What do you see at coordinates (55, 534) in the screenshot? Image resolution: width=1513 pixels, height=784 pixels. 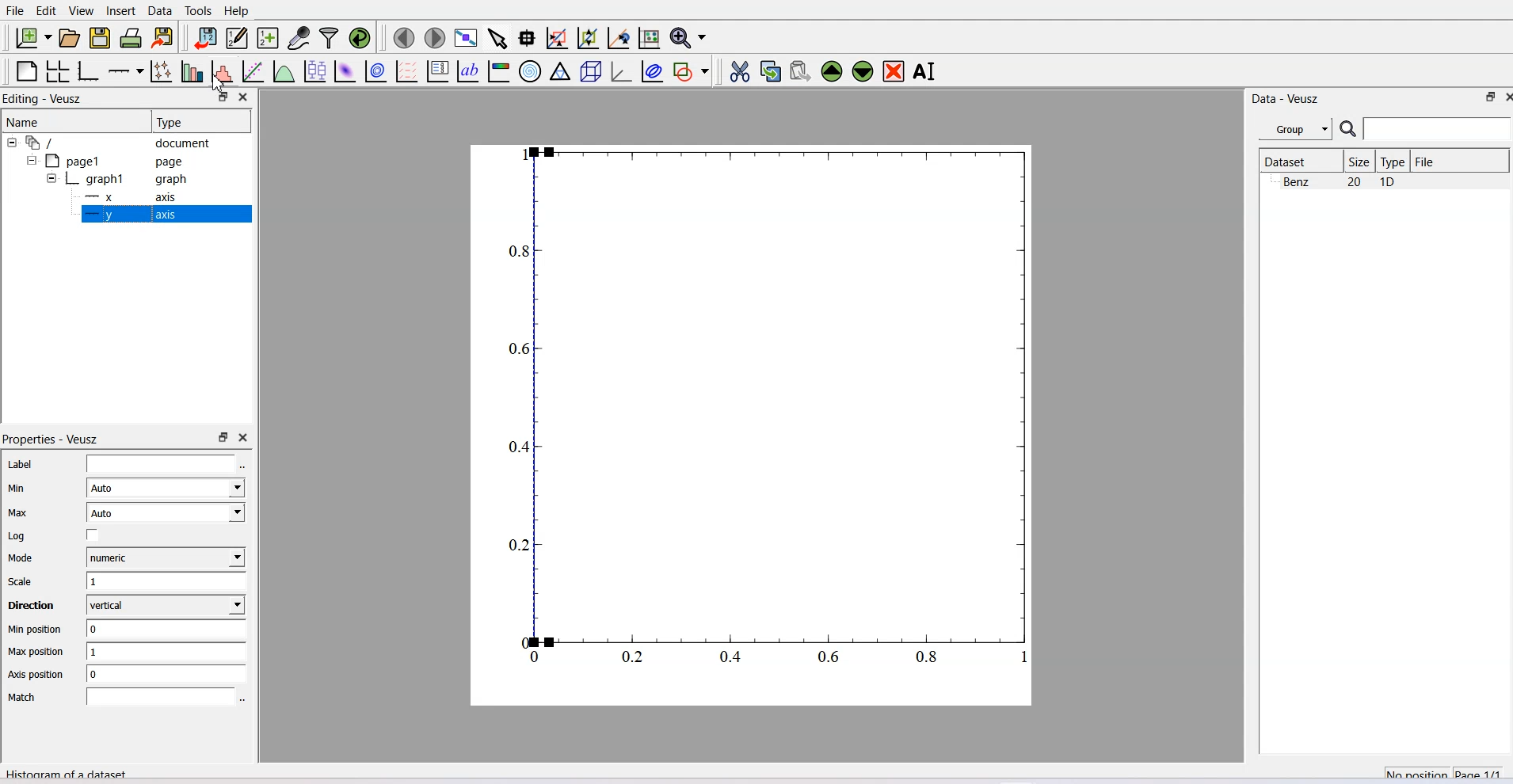 I see `Log` at bounding box center [55, 534].